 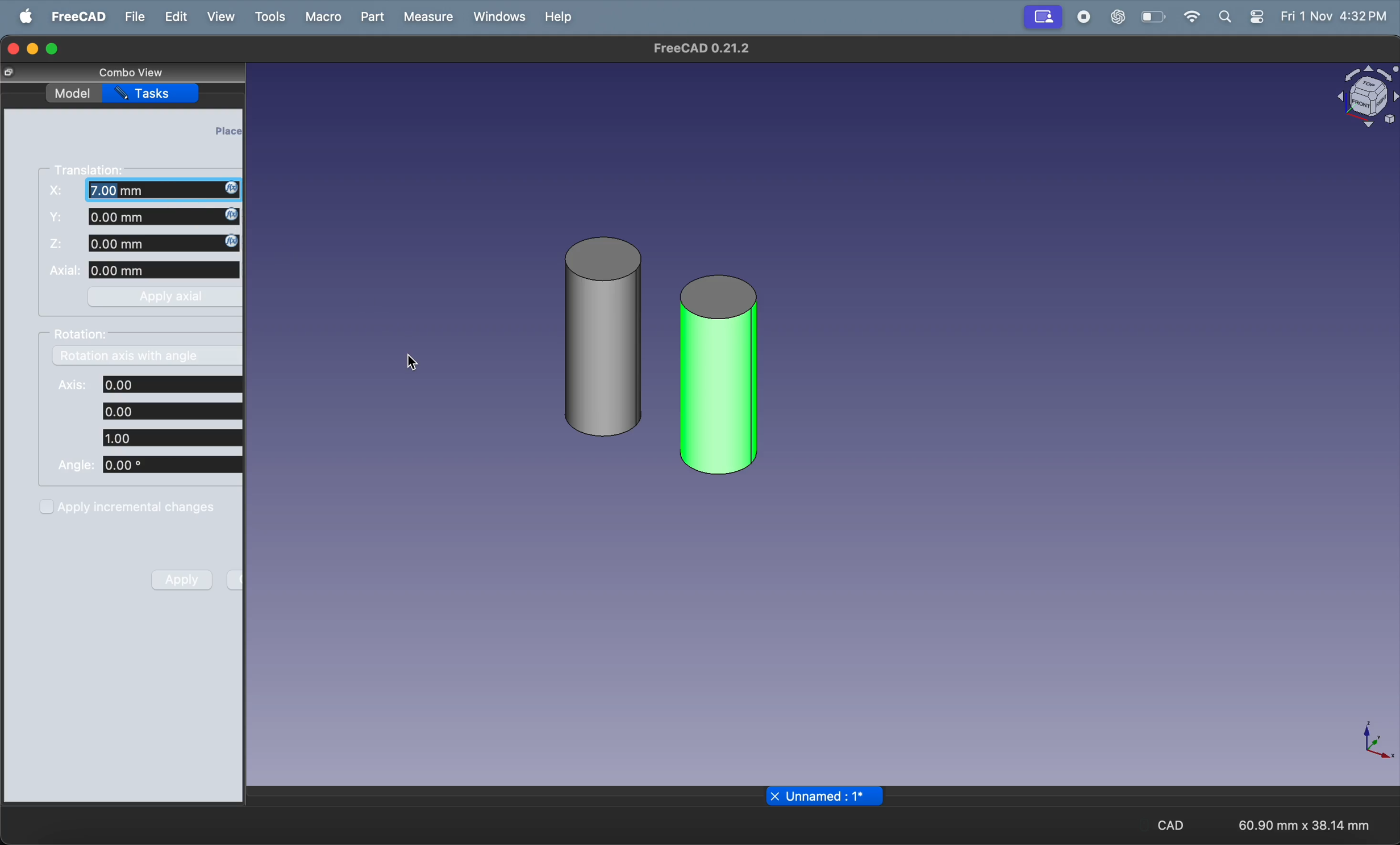 What do you see at coordinates (173, 411) in the screenshot?
I see `axis coordinates` at bounding box center [173, 411].